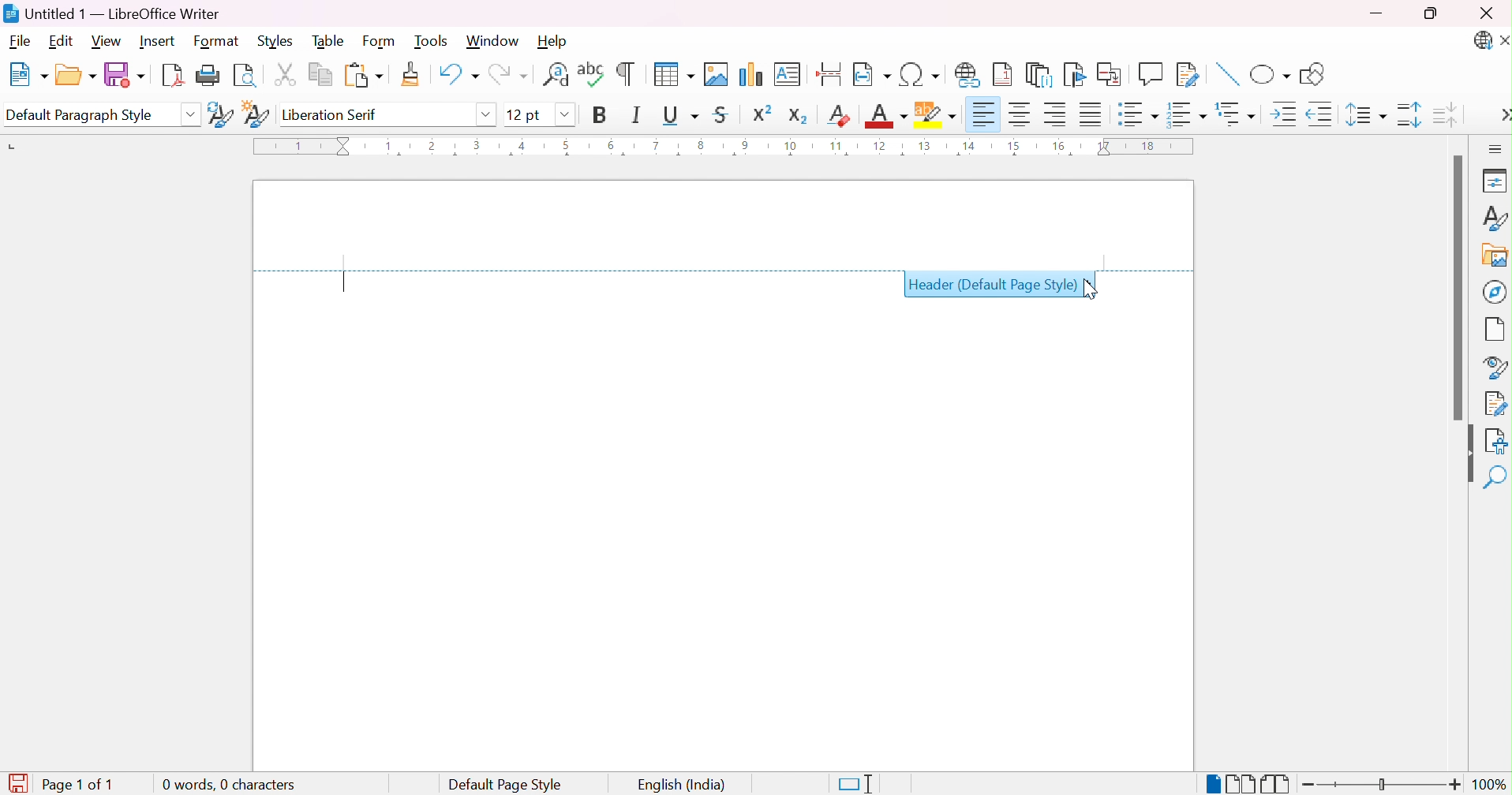  I want to click on Default page style, so click(507, 784).